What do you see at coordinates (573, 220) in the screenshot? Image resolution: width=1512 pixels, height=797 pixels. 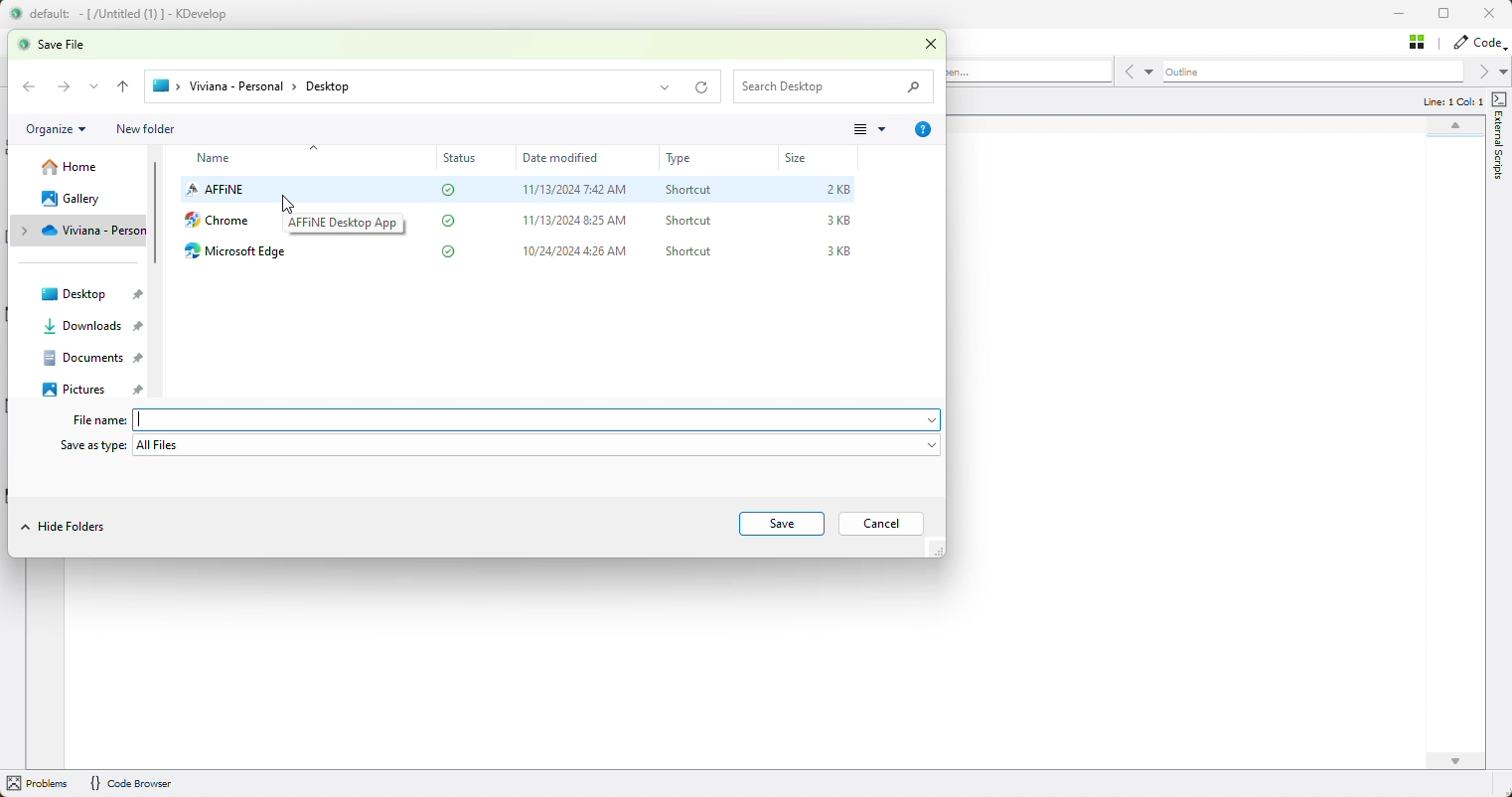 I see `11/13/2024 8:25 AM` at bounding box center [573, 220].